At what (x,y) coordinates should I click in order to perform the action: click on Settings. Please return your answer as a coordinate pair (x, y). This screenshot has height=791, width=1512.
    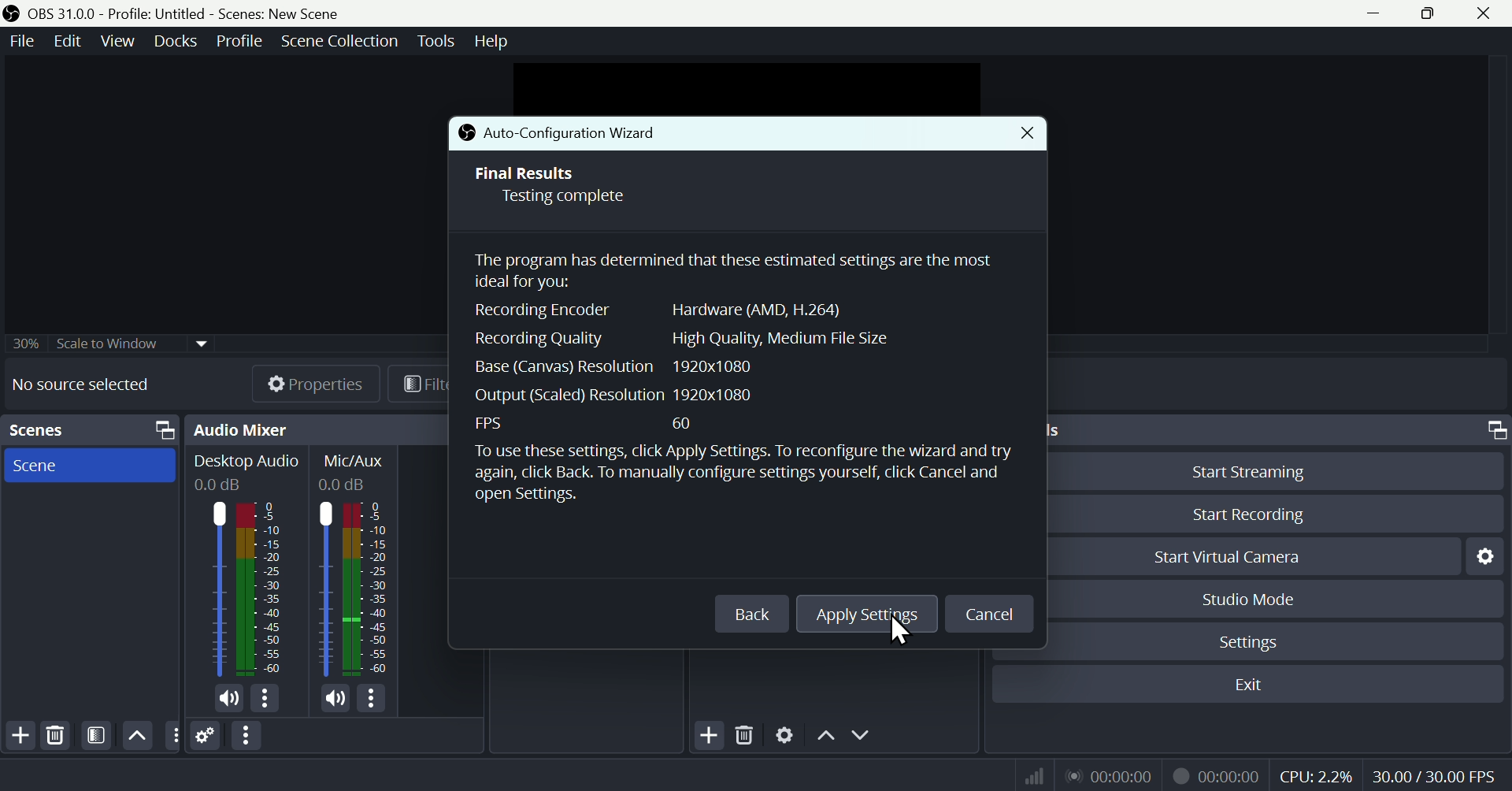
    Looking at the image, I should click on (785, 733).